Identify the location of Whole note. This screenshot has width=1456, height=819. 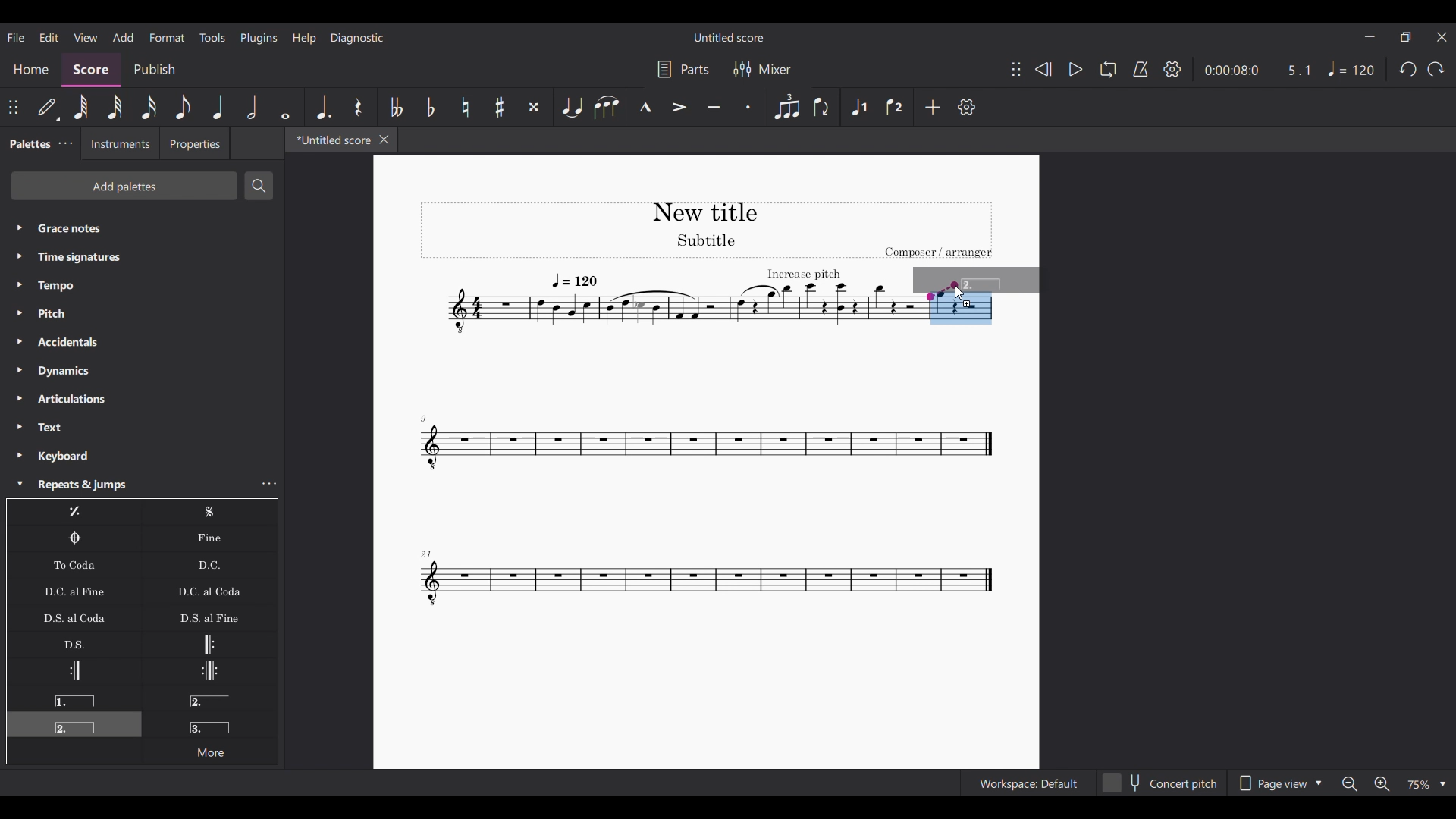
(285, 107).